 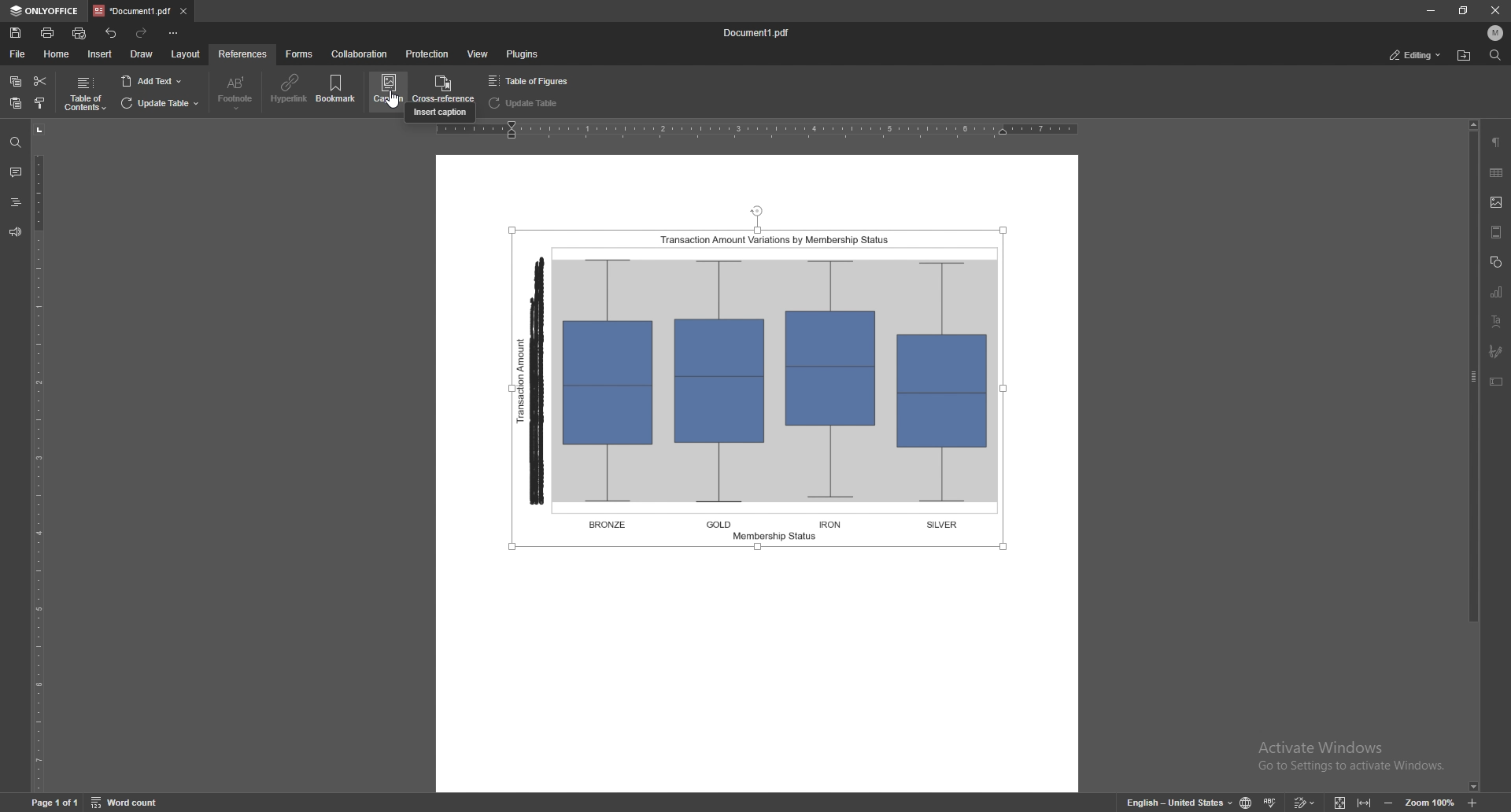 I want to click on references, so click(x=242, y=54).